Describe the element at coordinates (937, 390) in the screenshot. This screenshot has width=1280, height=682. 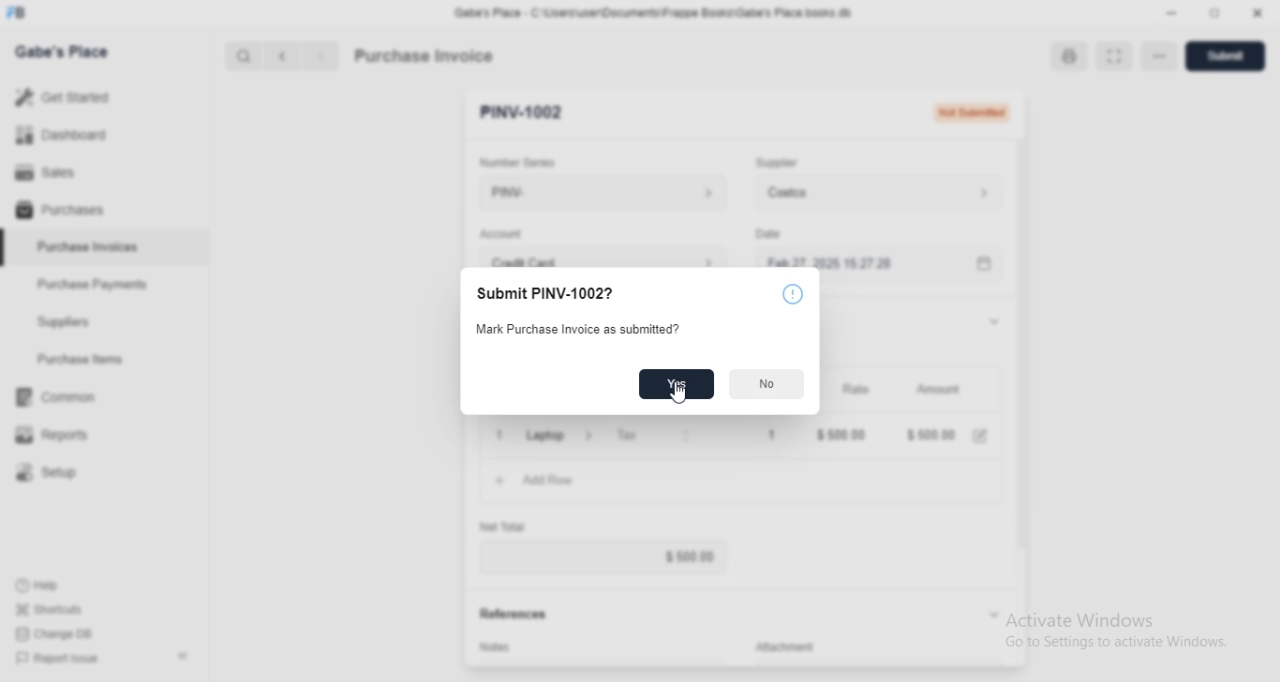
I see `Amount` at that location.